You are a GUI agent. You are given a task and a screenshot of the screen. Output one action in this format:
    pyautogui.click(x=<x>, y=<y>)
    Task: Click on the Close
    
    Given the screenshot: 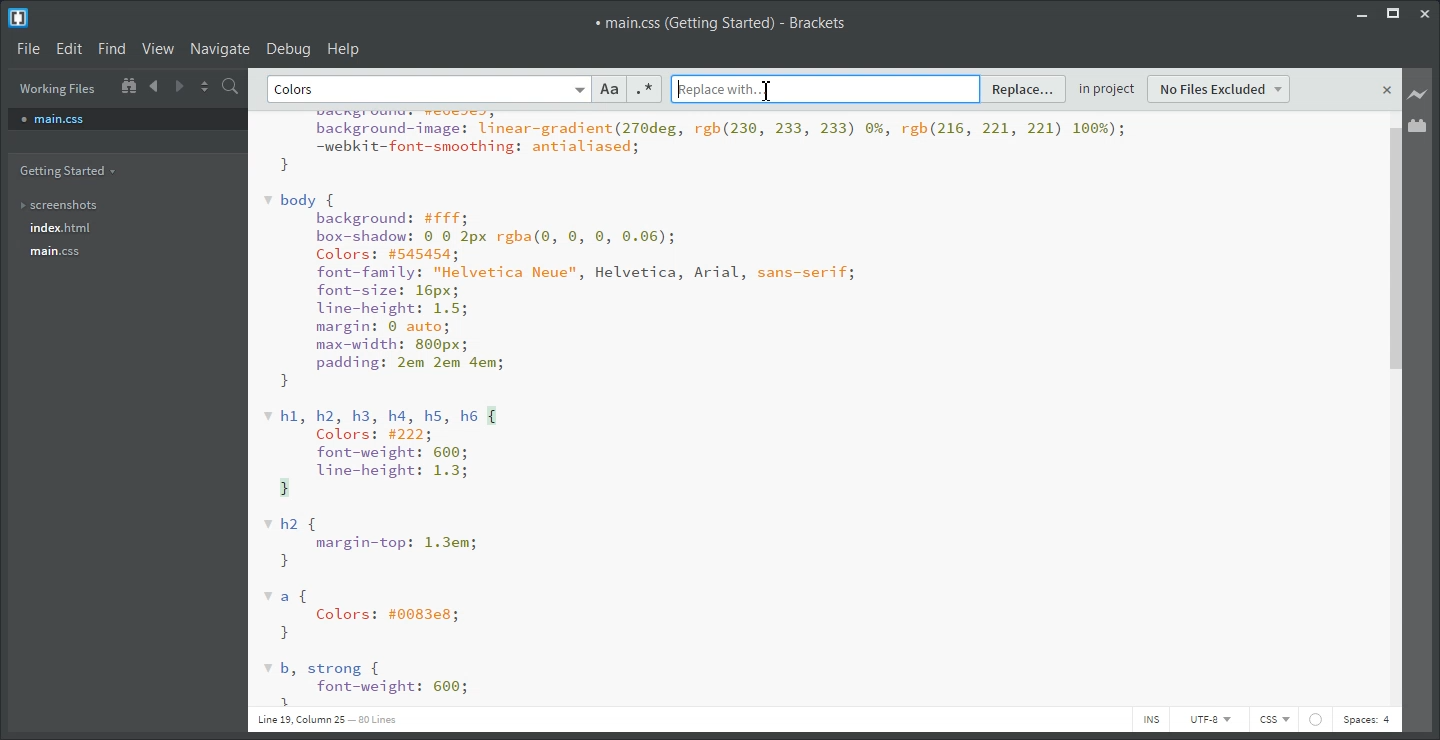 What is the action you would take?
    pyautogui.click(x=1427, y=13)
    